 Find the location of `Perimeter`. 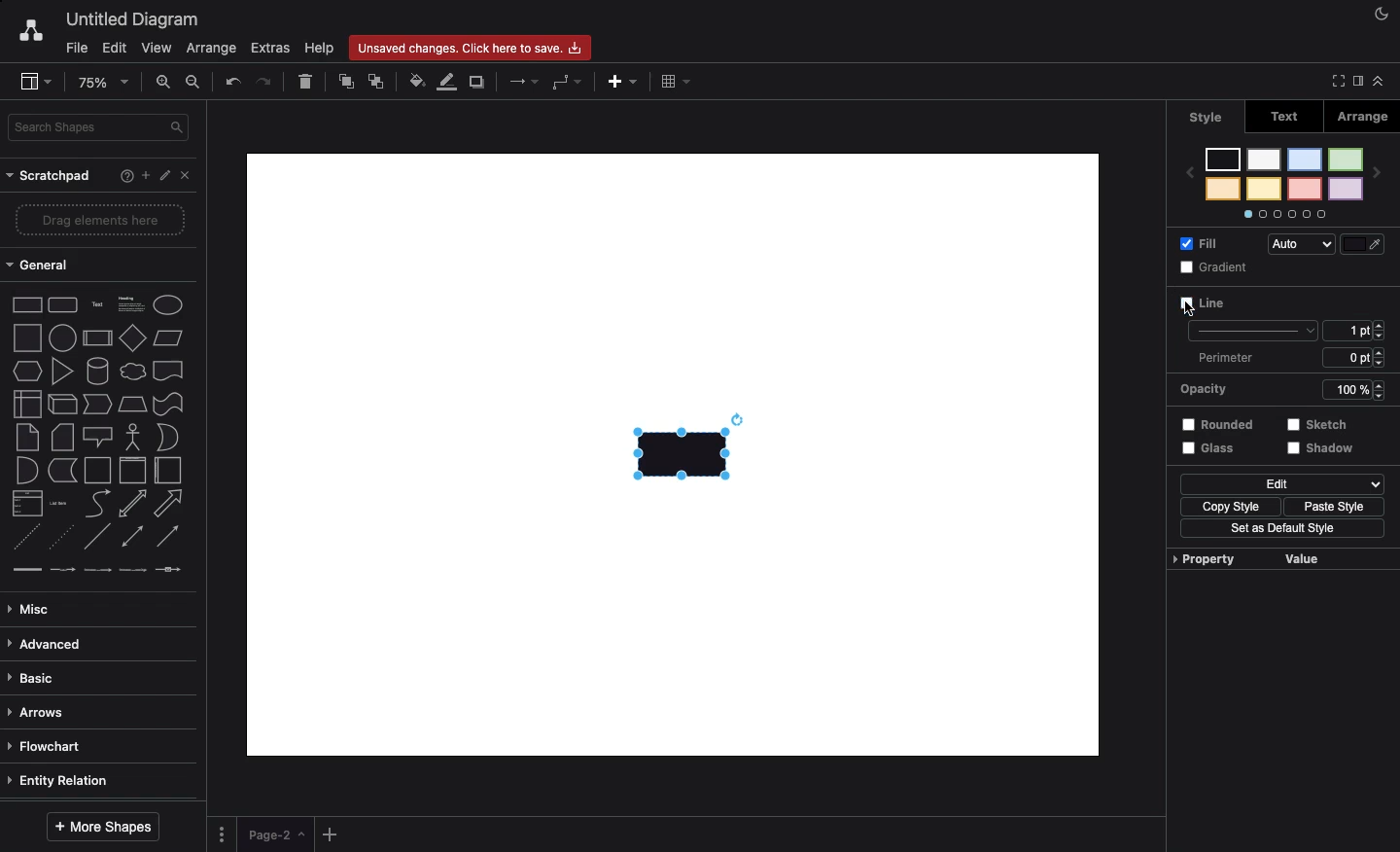

Perimeter is located at coordinates (1232, 357).